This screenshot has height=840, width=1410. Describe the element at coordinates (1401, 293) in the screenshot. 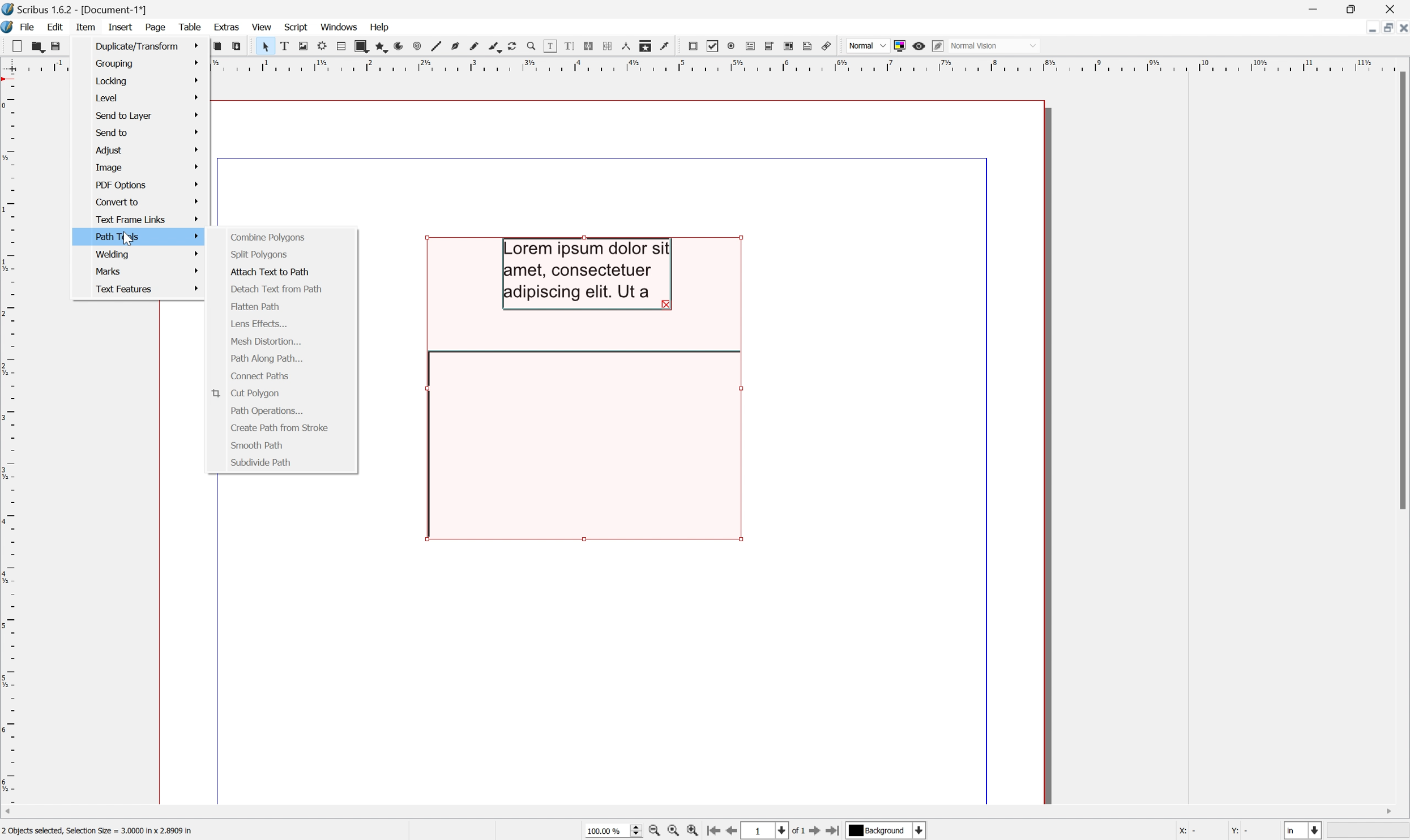

I see `Scroll bar` at that location.